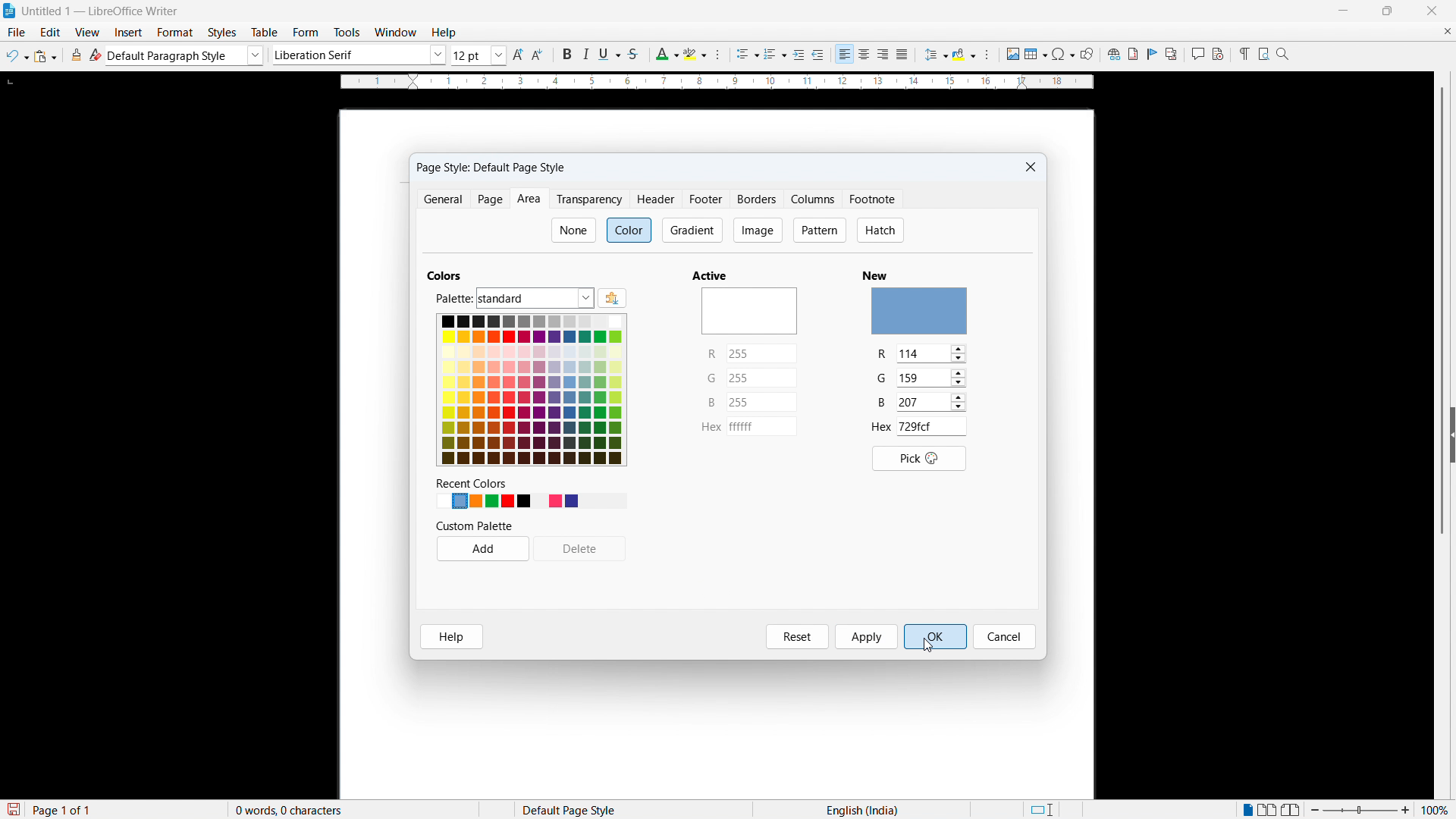  What do you see at coordinates (461, 500) in the screenshot?
I see `New colour set light blue ` at bounding box center [461, 500].